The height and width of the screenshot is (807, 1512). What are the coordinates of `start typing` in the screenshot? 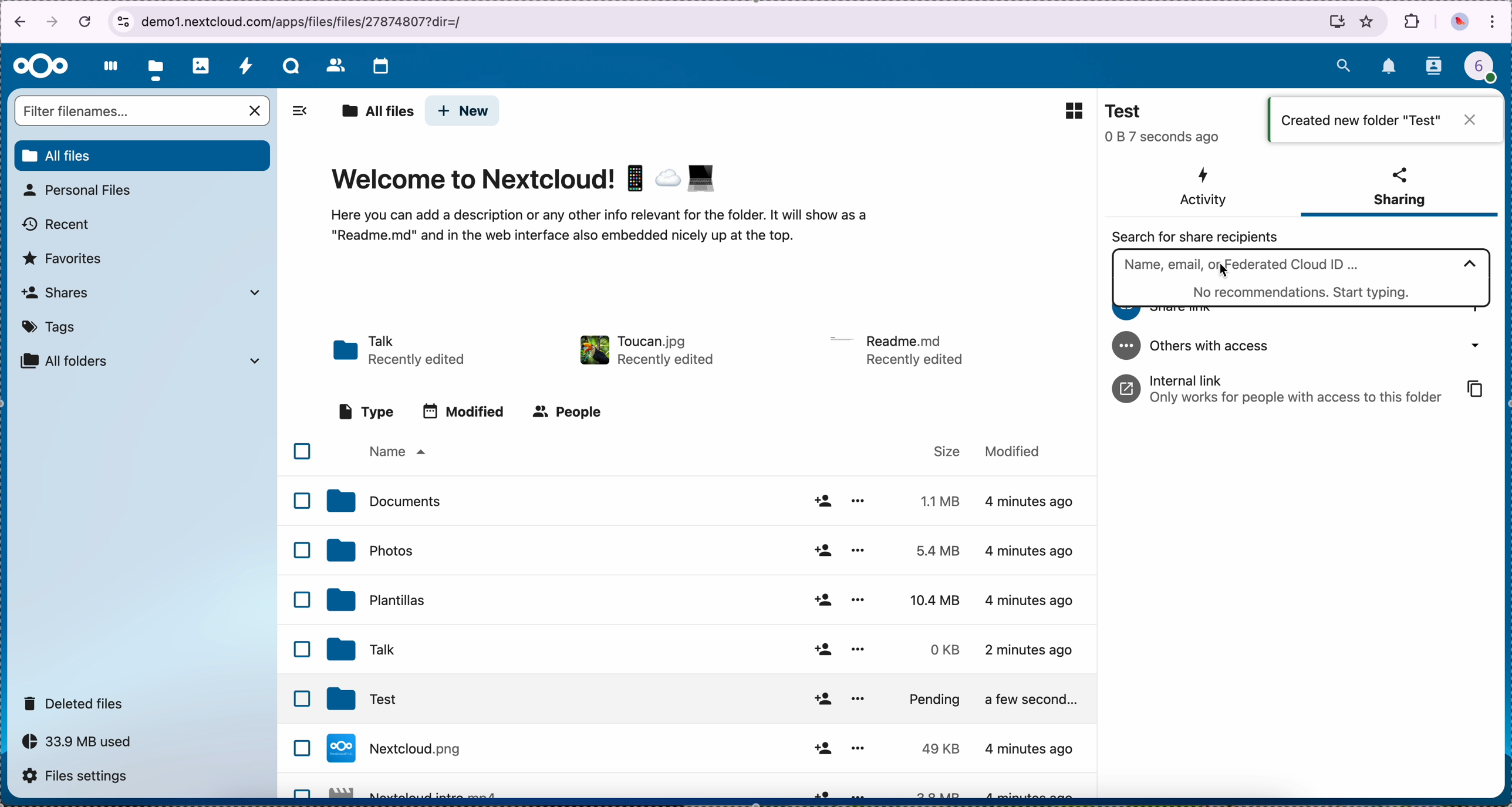 It's located at (1305, 295).